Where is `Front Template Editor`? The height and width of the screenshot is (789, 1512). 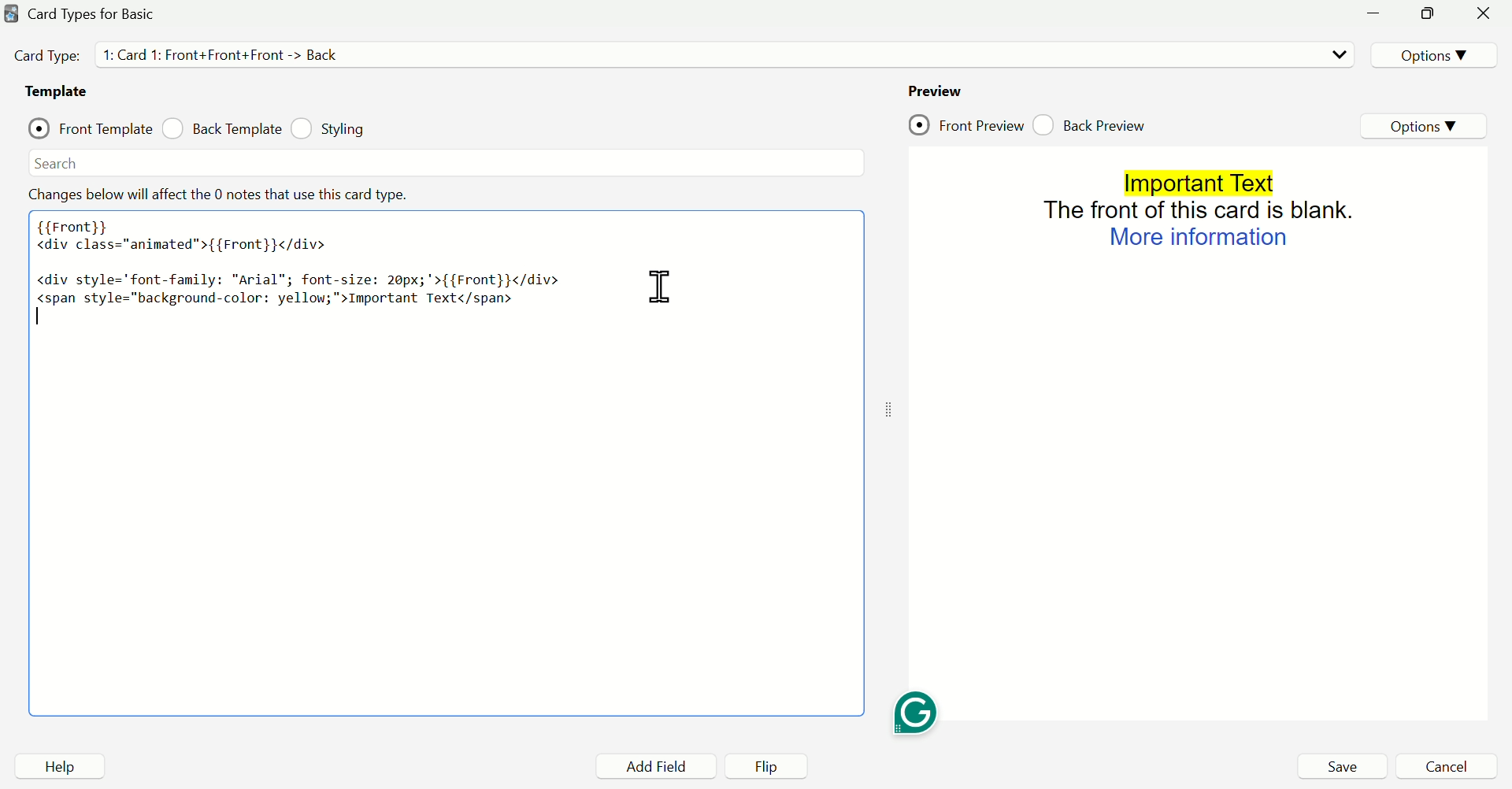 Front Template Editor is located at coordinates (435, 463).